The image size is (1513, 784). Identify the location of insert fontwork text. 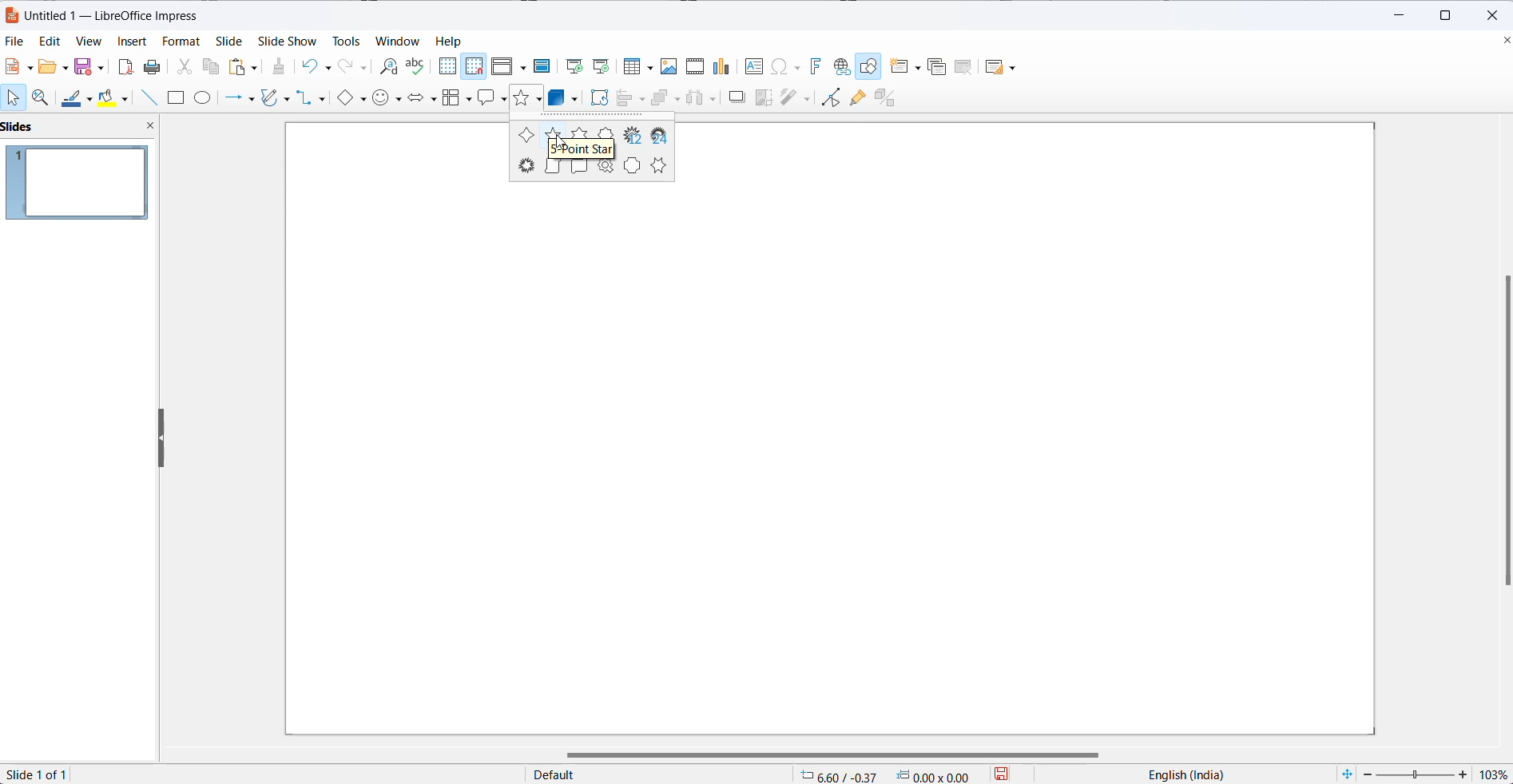
(812, 66).